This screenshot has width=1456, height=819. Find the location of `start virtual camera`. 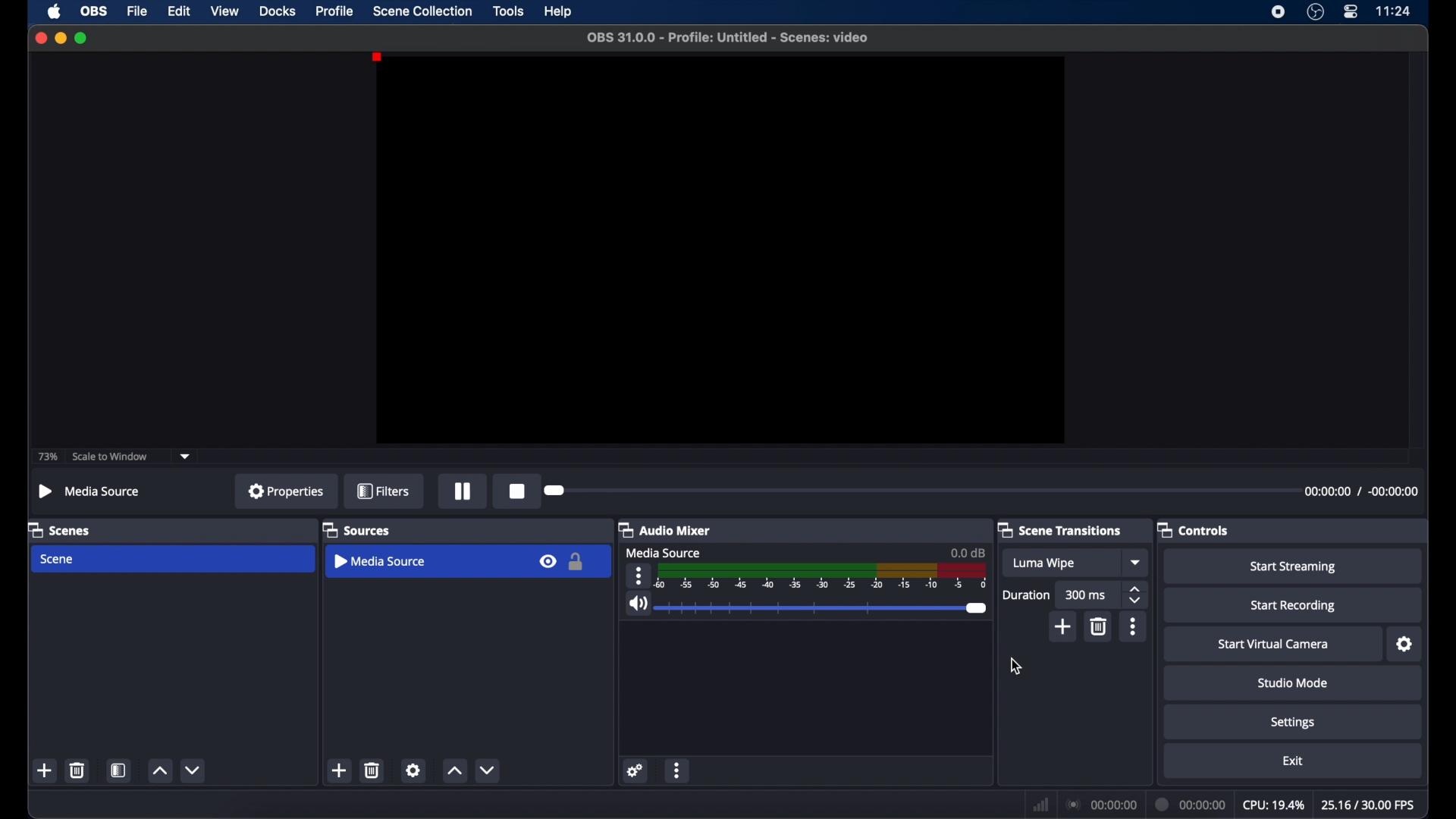

start virtual camera is located at coordinates (1272, 645).